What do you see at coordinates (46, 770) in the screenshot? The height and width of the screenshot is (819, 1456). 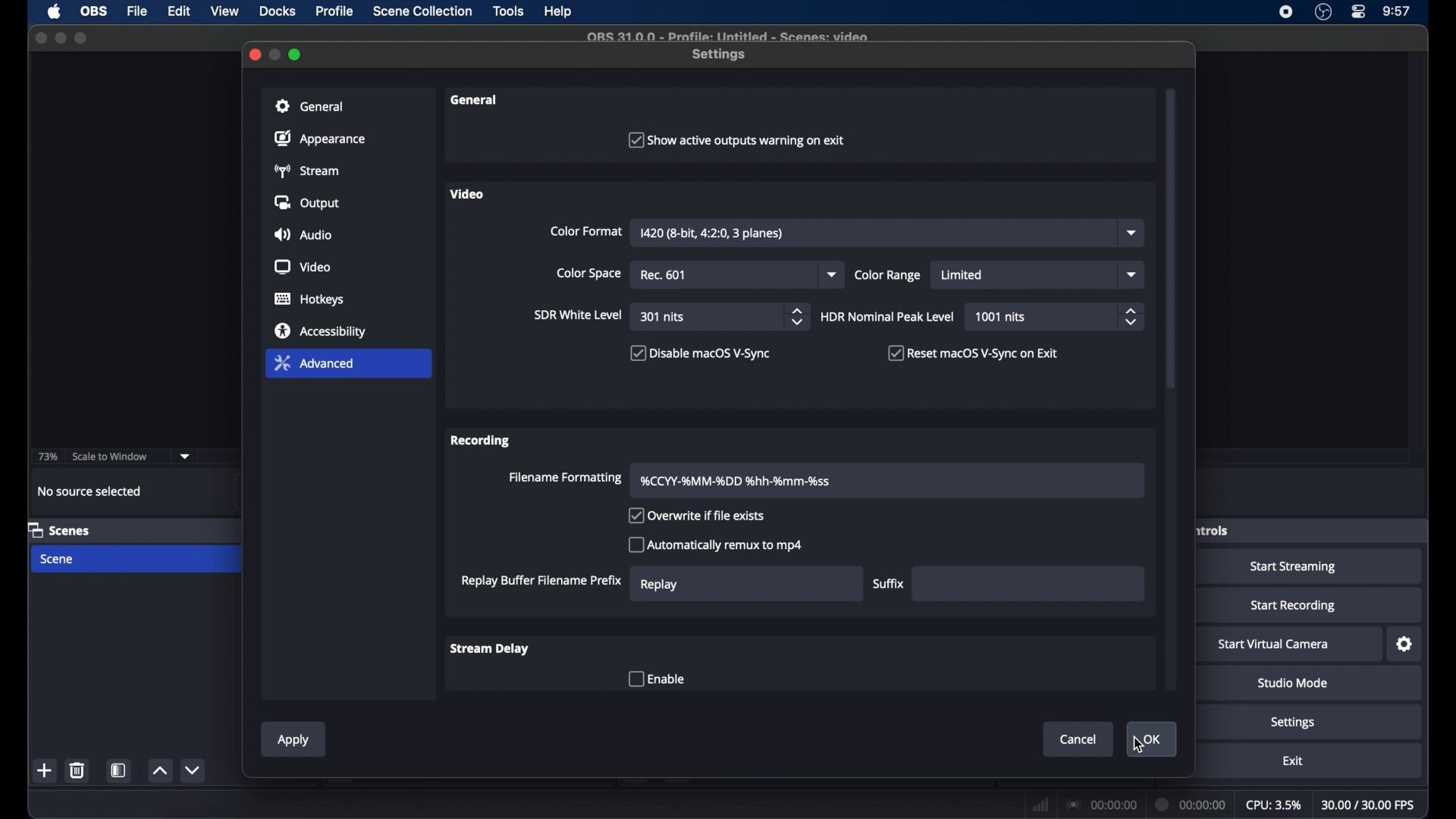 I see `add` at bounding box center [46, 770].